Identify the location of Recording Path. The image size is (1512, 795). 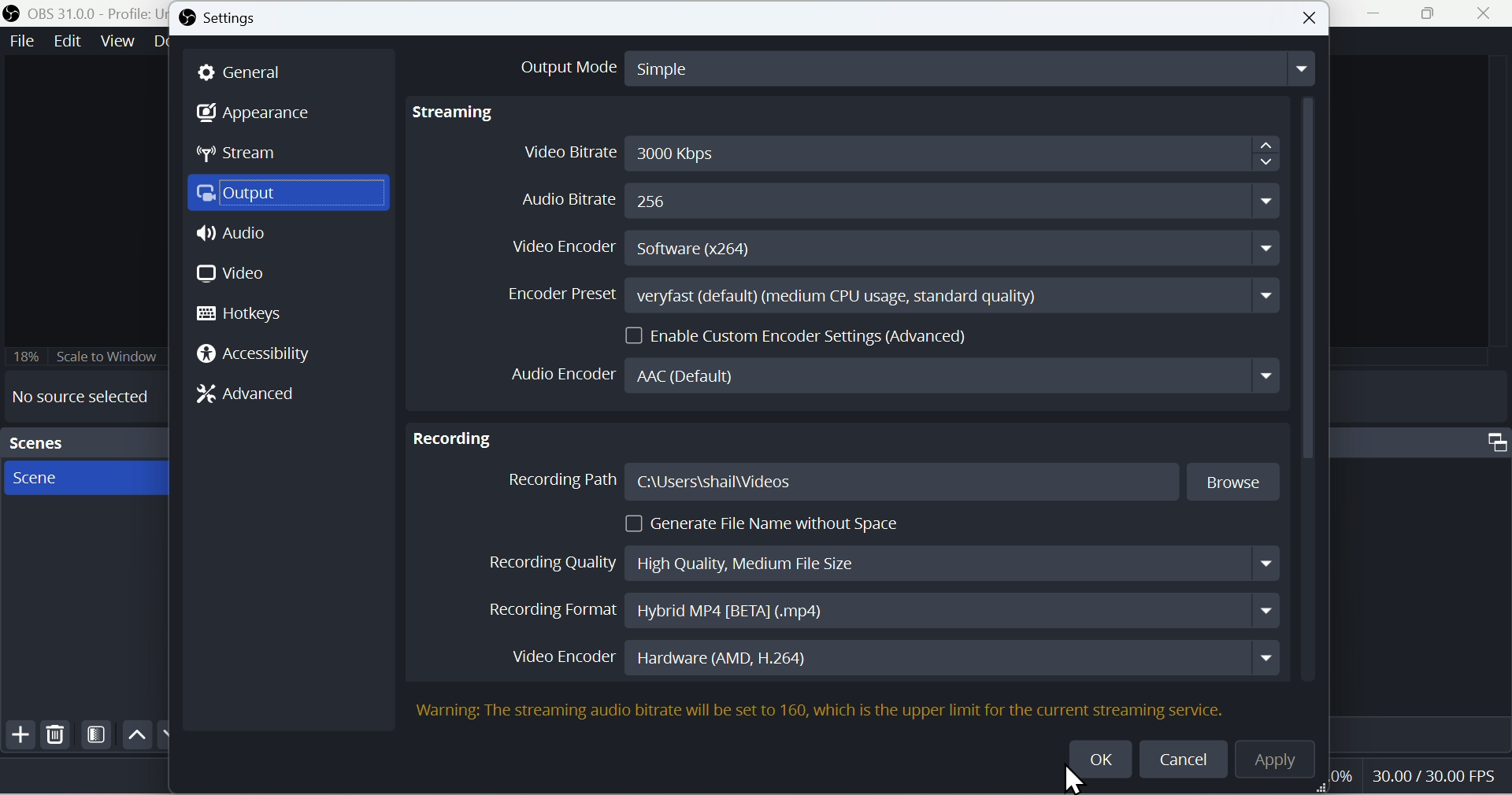
(894, 483).